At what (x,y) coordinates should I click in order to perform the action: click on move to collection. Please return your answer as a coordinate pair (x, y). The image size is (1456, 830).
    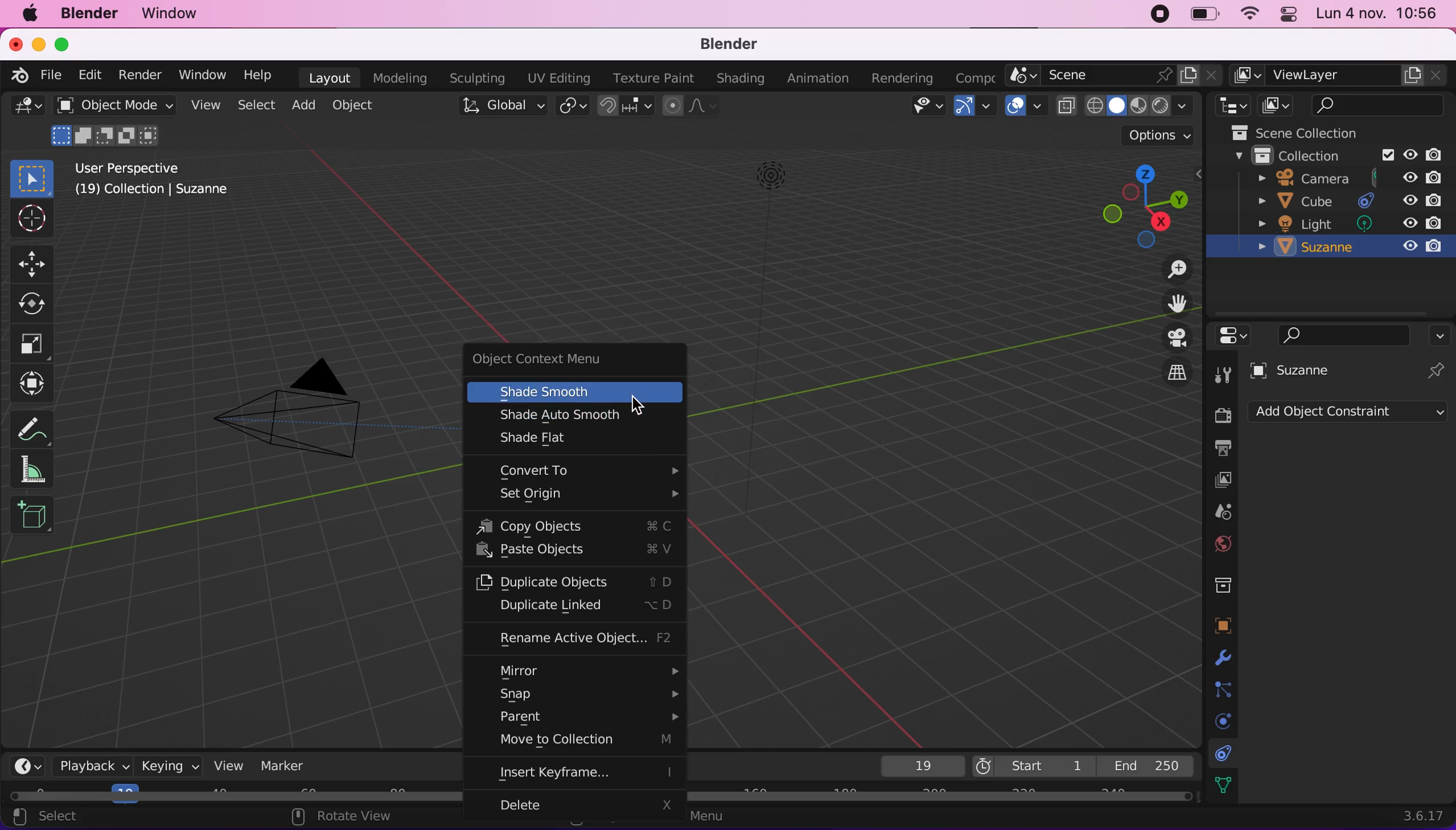
    Looking at the image, I should click on (579, 741).